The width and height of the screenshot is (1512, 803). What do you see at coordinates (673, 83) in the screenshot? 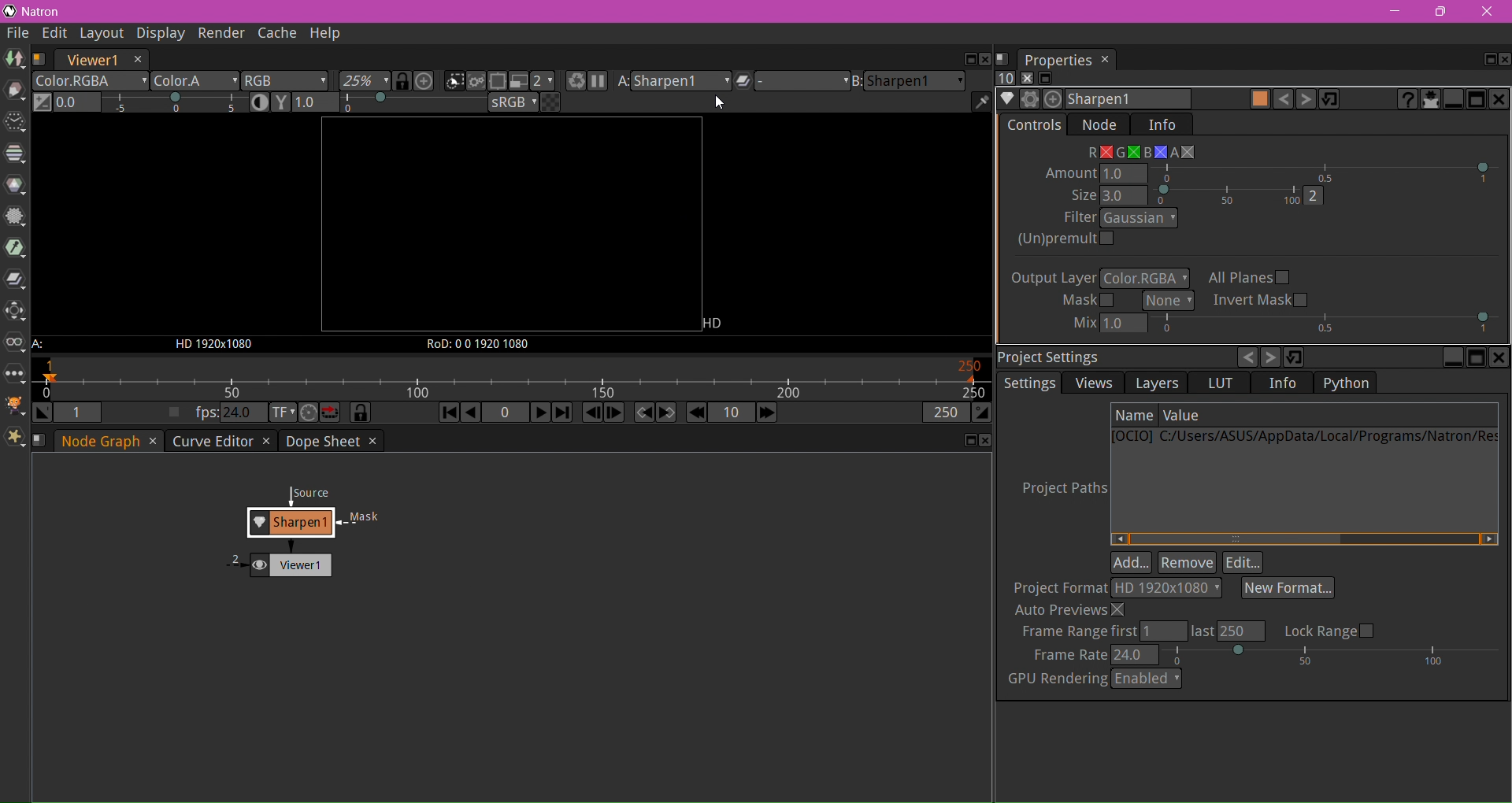
I see `Viewer Input A` at bounding box center [673, 83].